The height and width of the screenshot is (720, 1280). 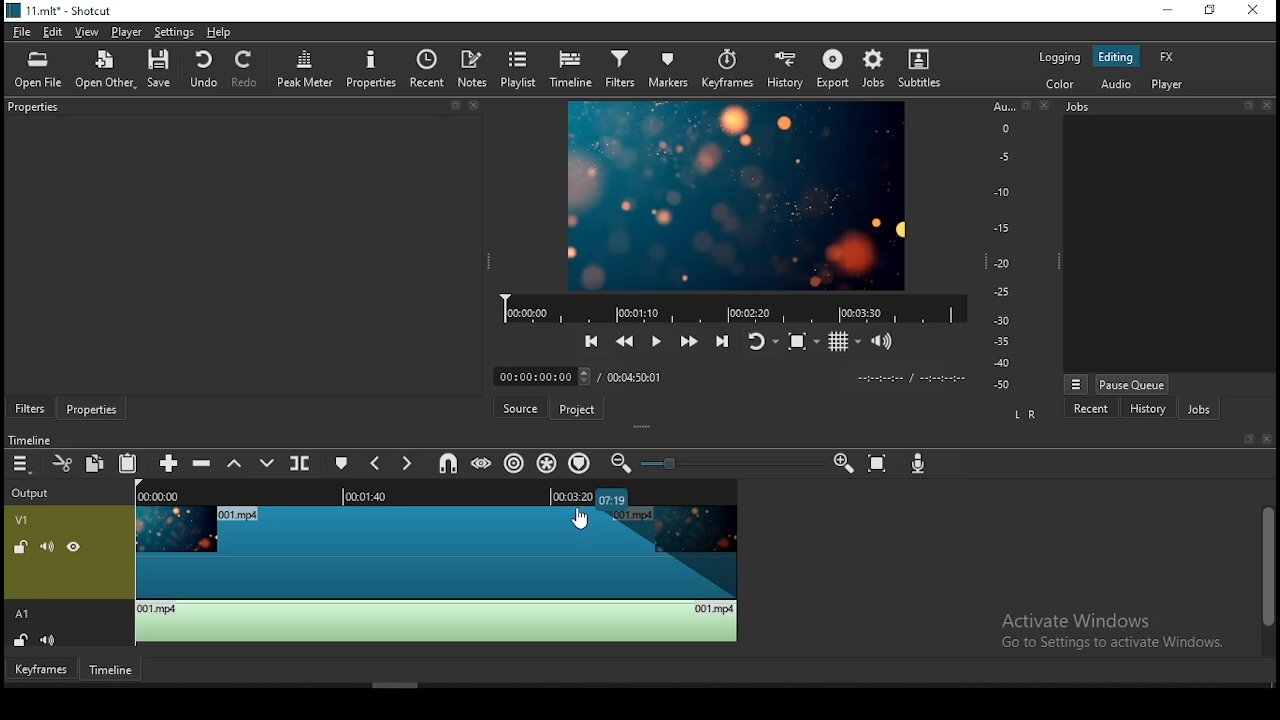 I want to click on open file, so click(x=39, y=68).